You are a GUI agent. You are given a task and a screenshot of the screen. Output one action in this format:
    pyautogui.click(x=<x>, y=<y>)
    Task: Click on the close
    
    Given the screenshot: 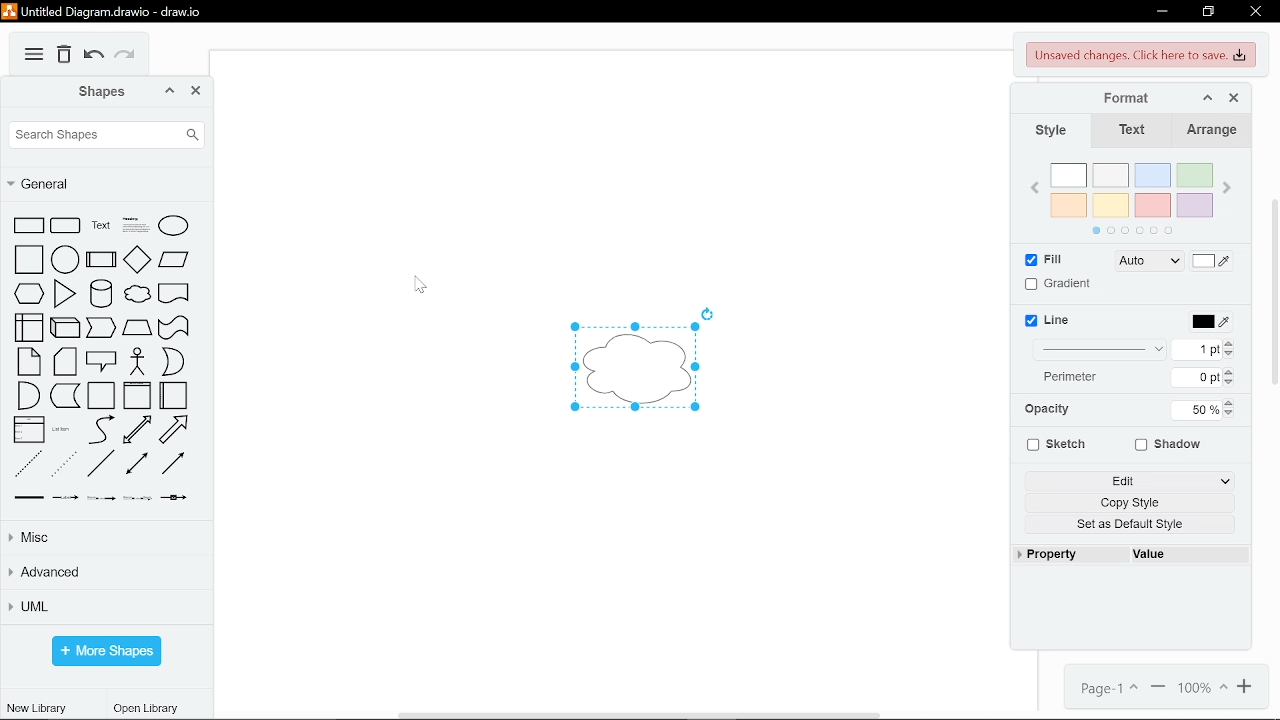 What is the action you would take?
    pyautogui.click(x=198, y=91)
    